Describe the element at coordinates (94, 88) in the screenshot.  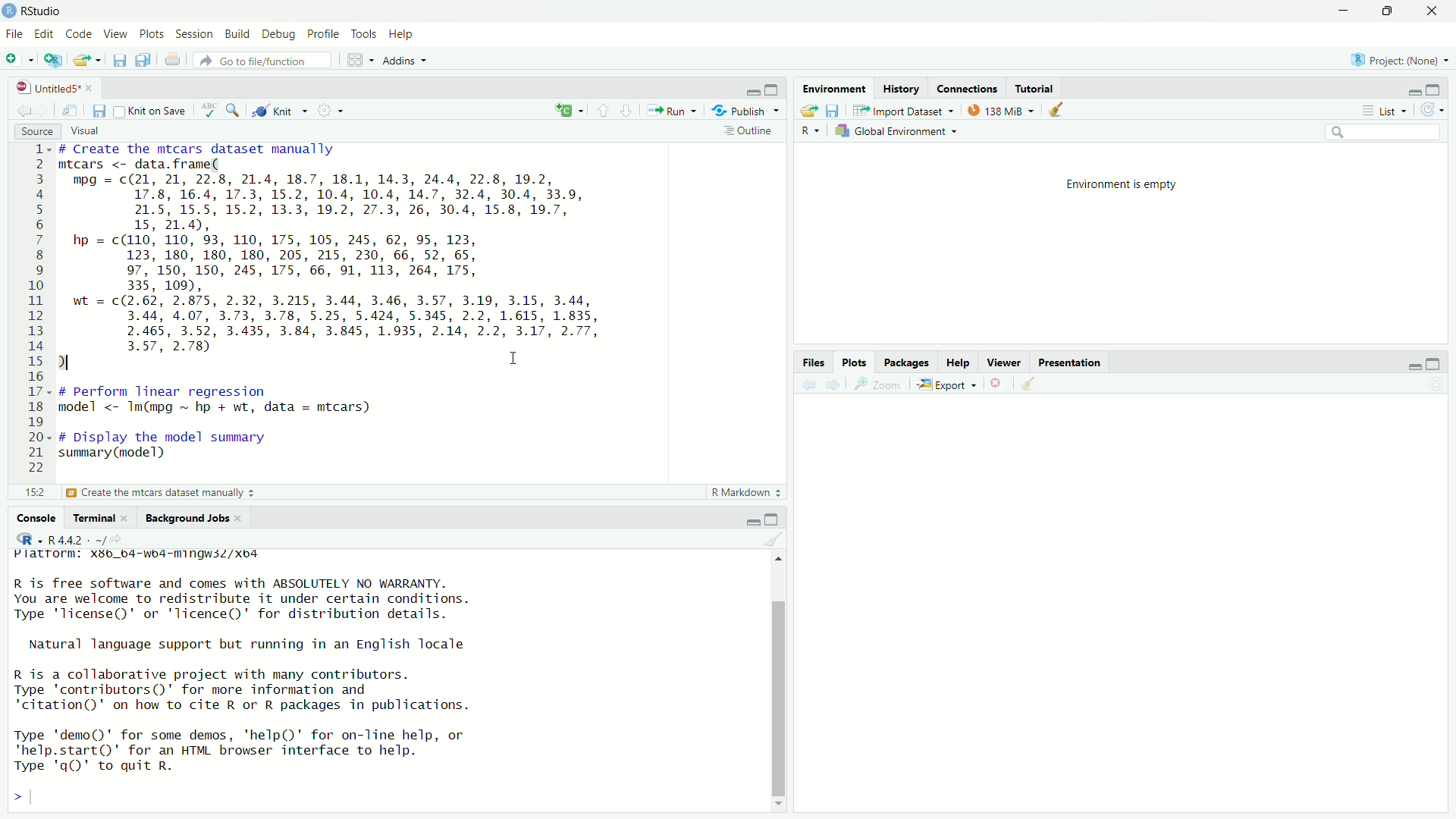
I see `close` at that location.